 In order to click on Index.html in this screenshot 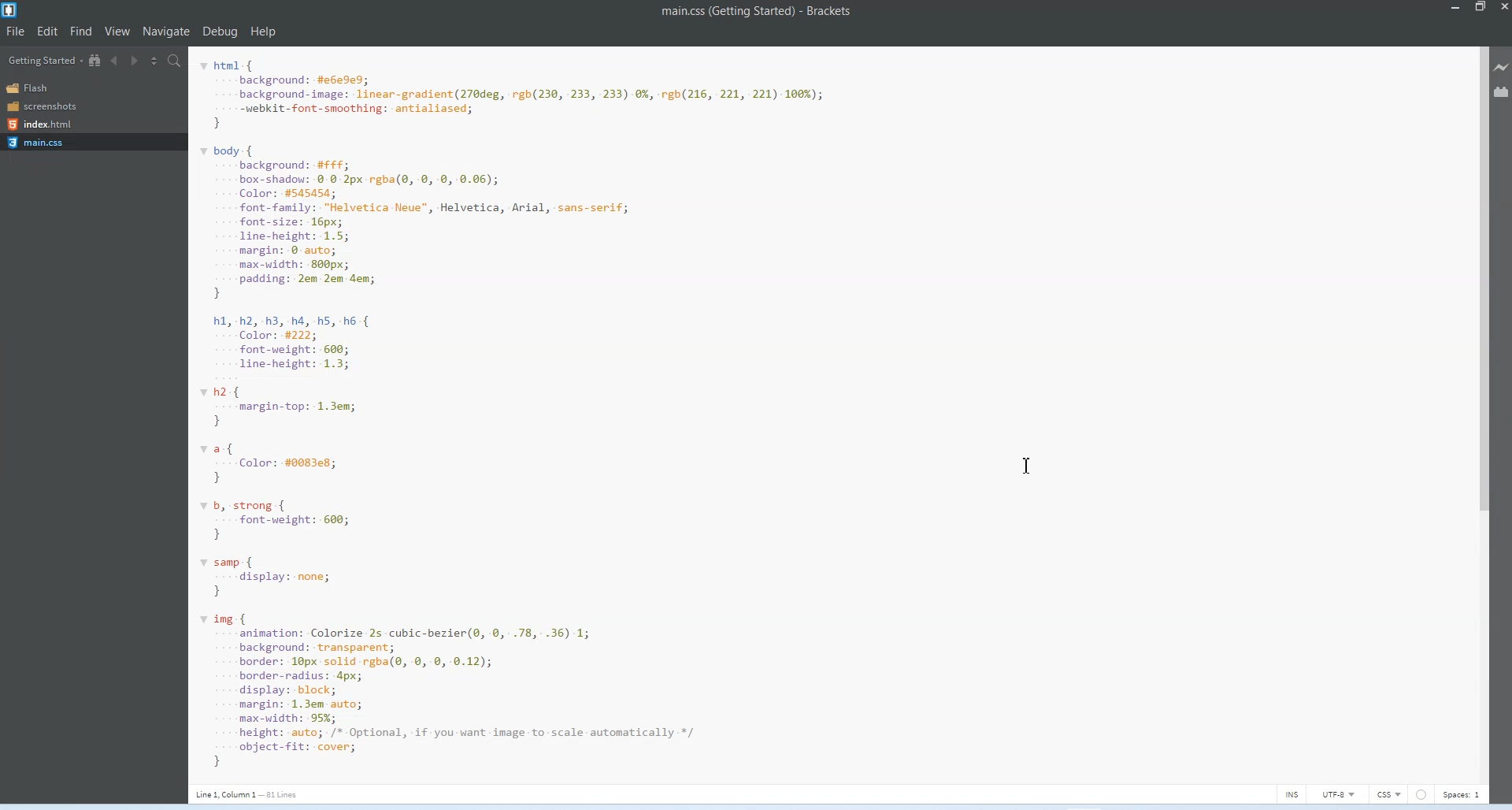, I will do `click(39, 125)`.